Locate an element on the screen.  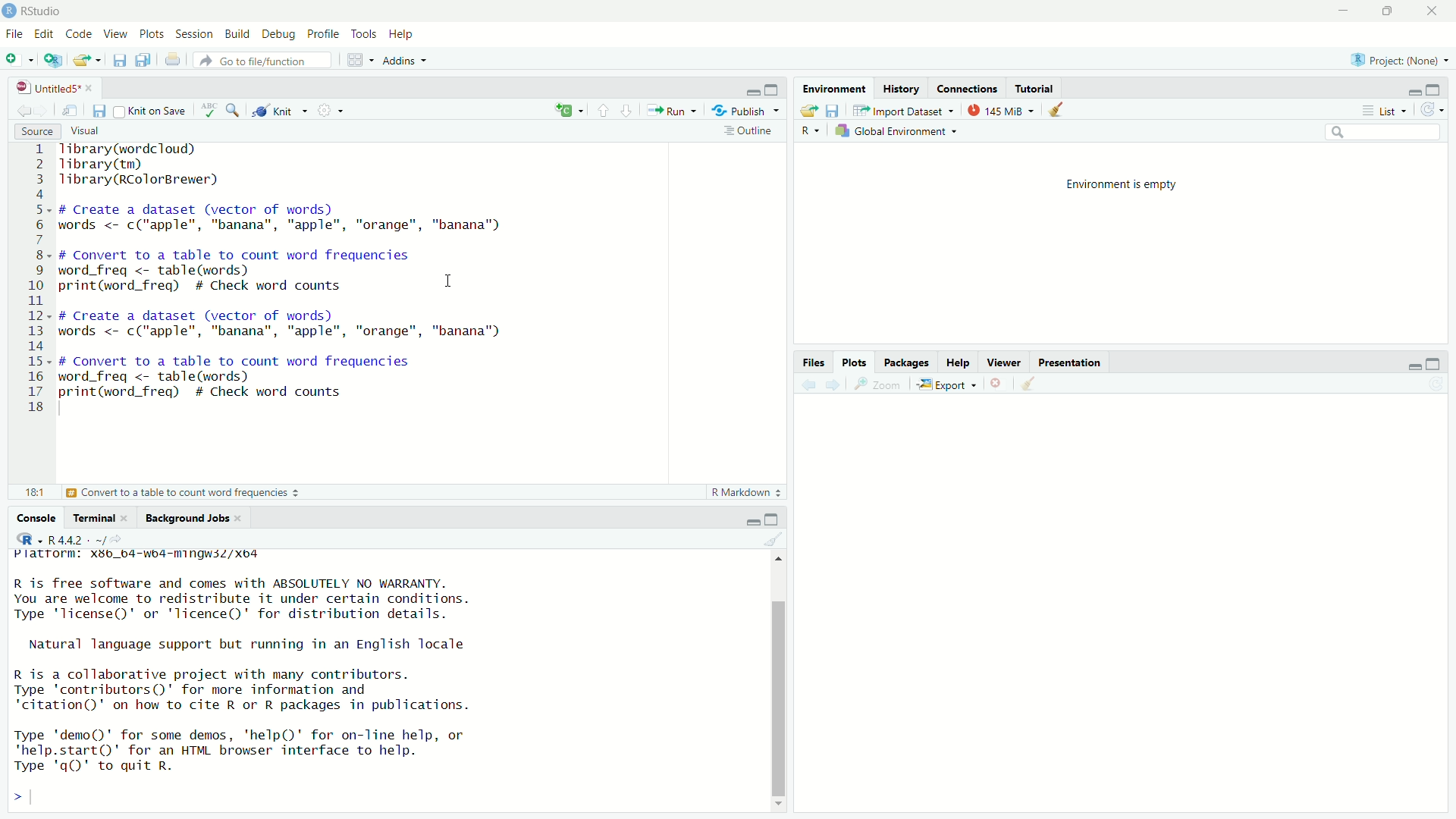
Clear console is located at coordinates (777, 541).